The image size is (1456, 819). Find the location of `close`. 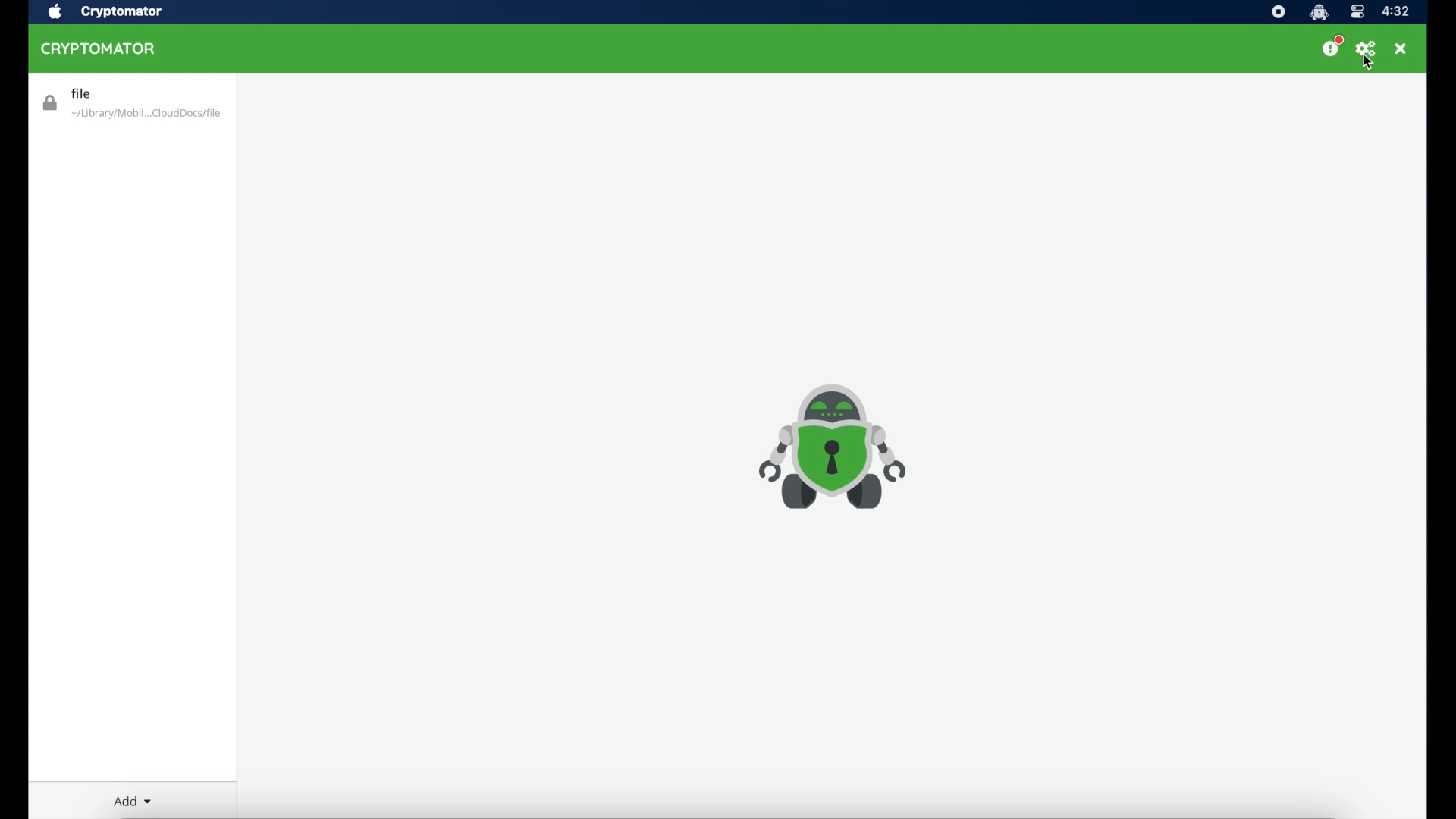

close is located at coordinates (1401, 49).